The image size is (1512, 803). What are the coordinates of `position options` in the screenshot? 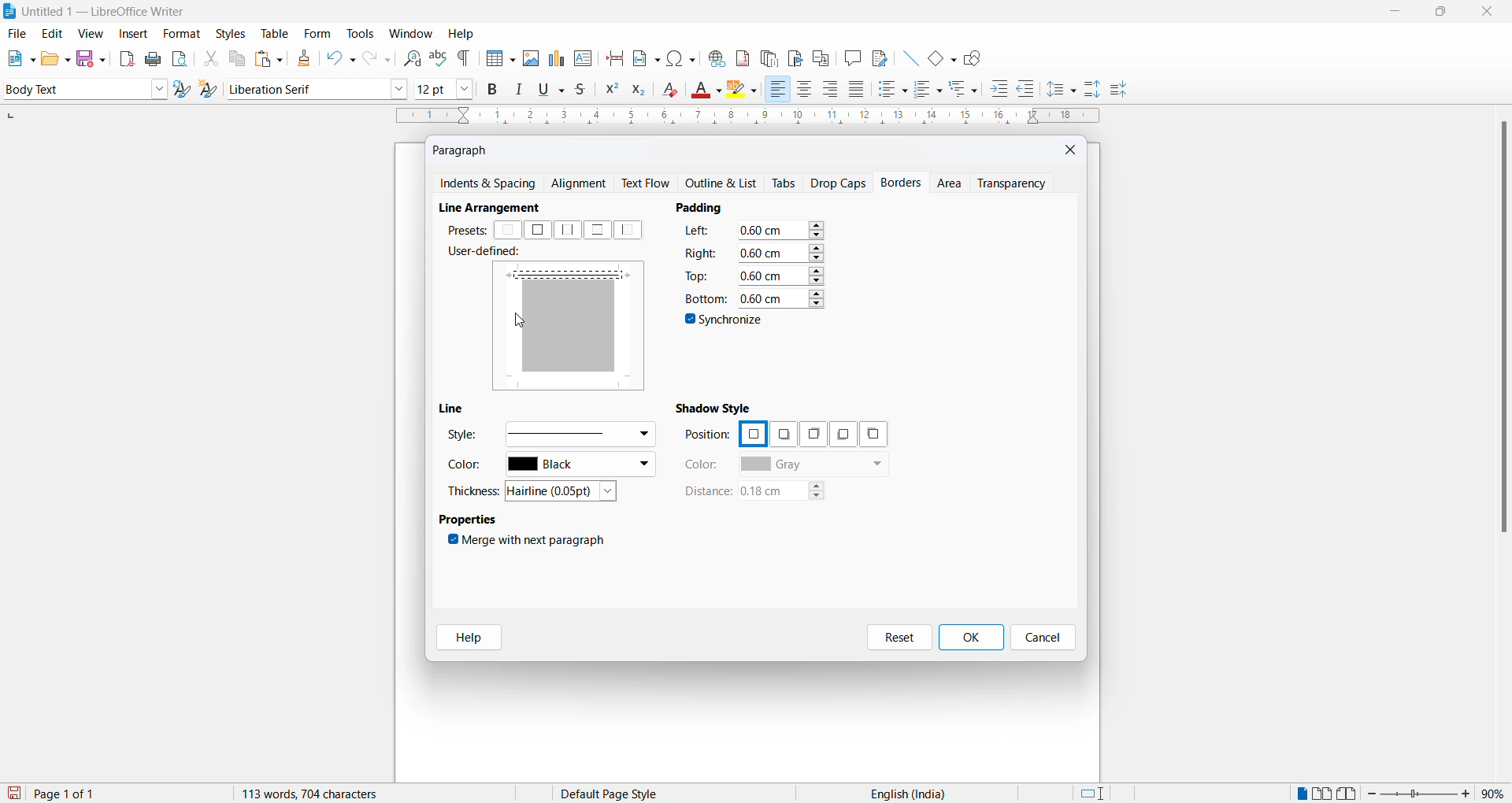 It's located at (839, 435).